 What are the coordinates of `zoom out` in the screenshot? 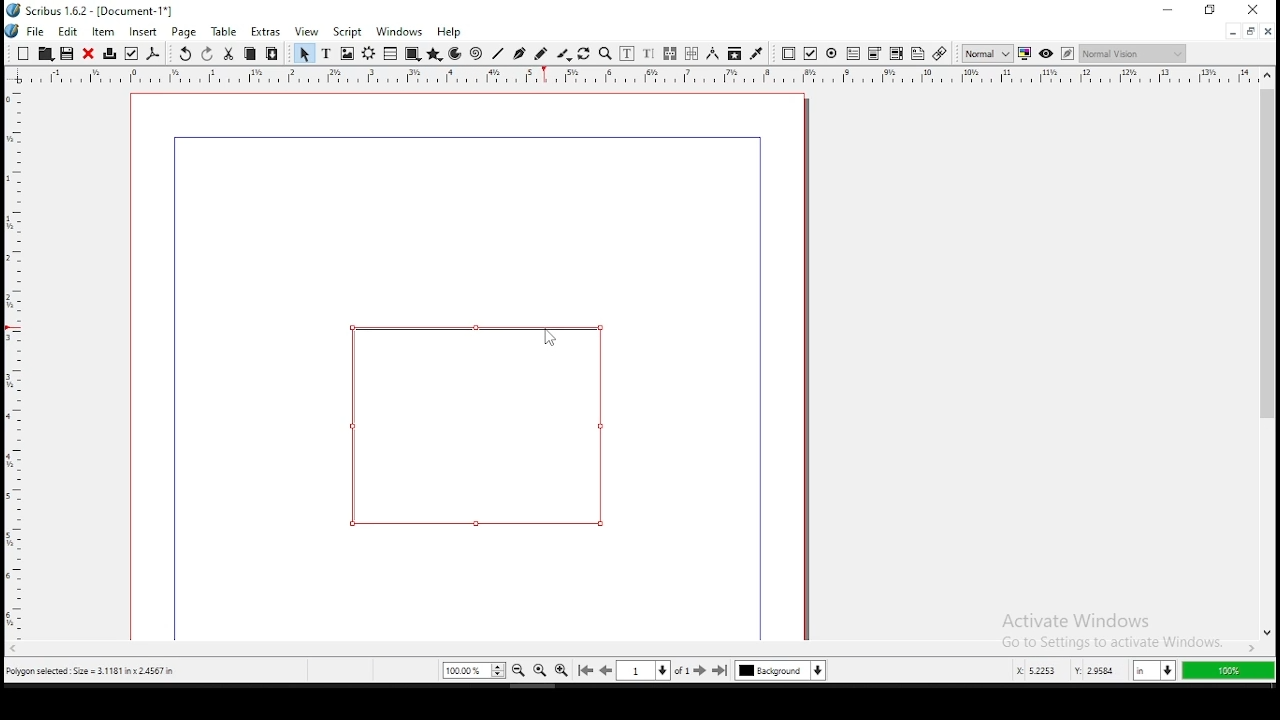 It's located at (519, 670).